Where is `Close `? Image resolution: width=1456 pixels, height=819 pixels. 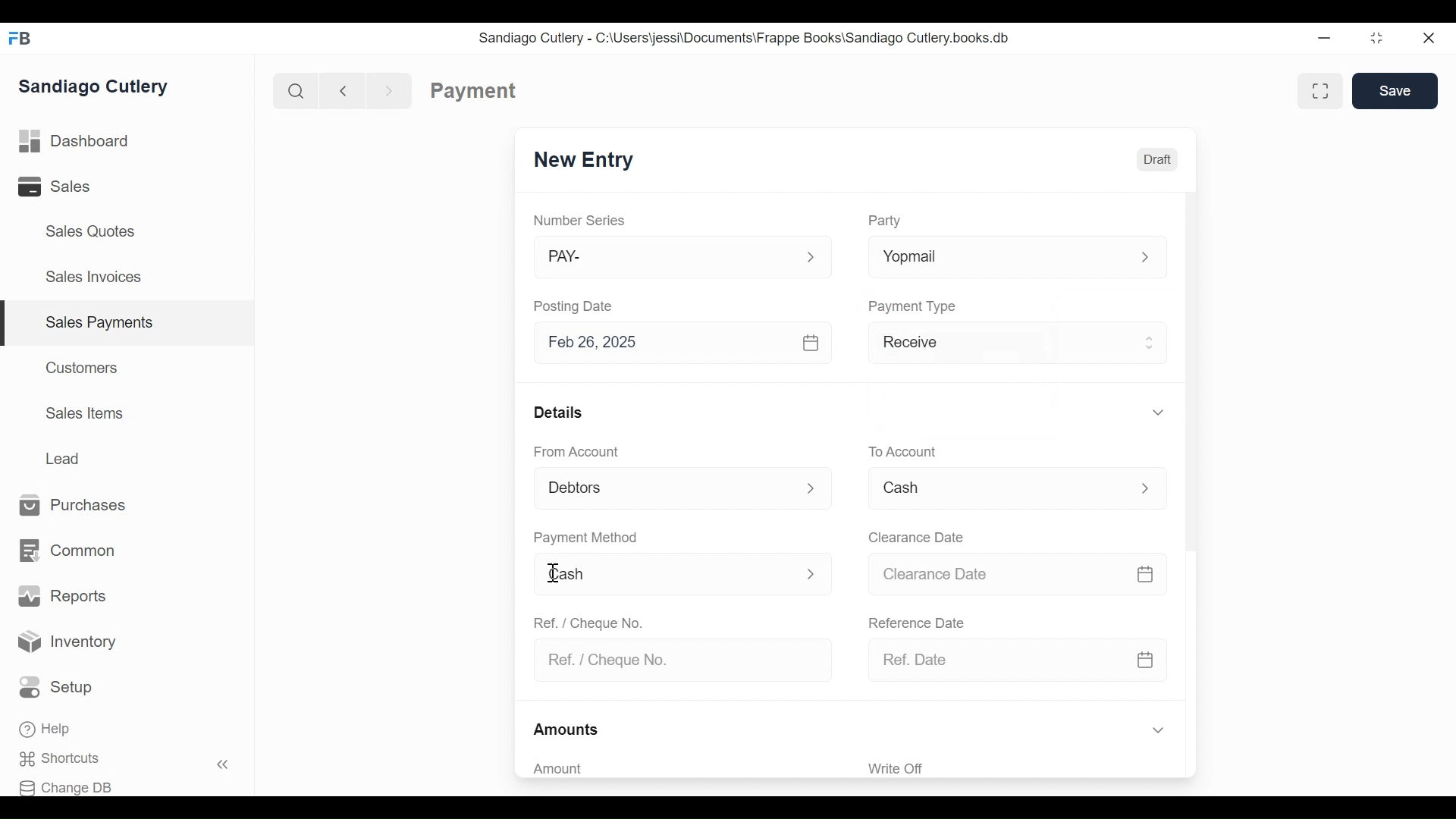 Close  is located at coordinates (1430, 38).